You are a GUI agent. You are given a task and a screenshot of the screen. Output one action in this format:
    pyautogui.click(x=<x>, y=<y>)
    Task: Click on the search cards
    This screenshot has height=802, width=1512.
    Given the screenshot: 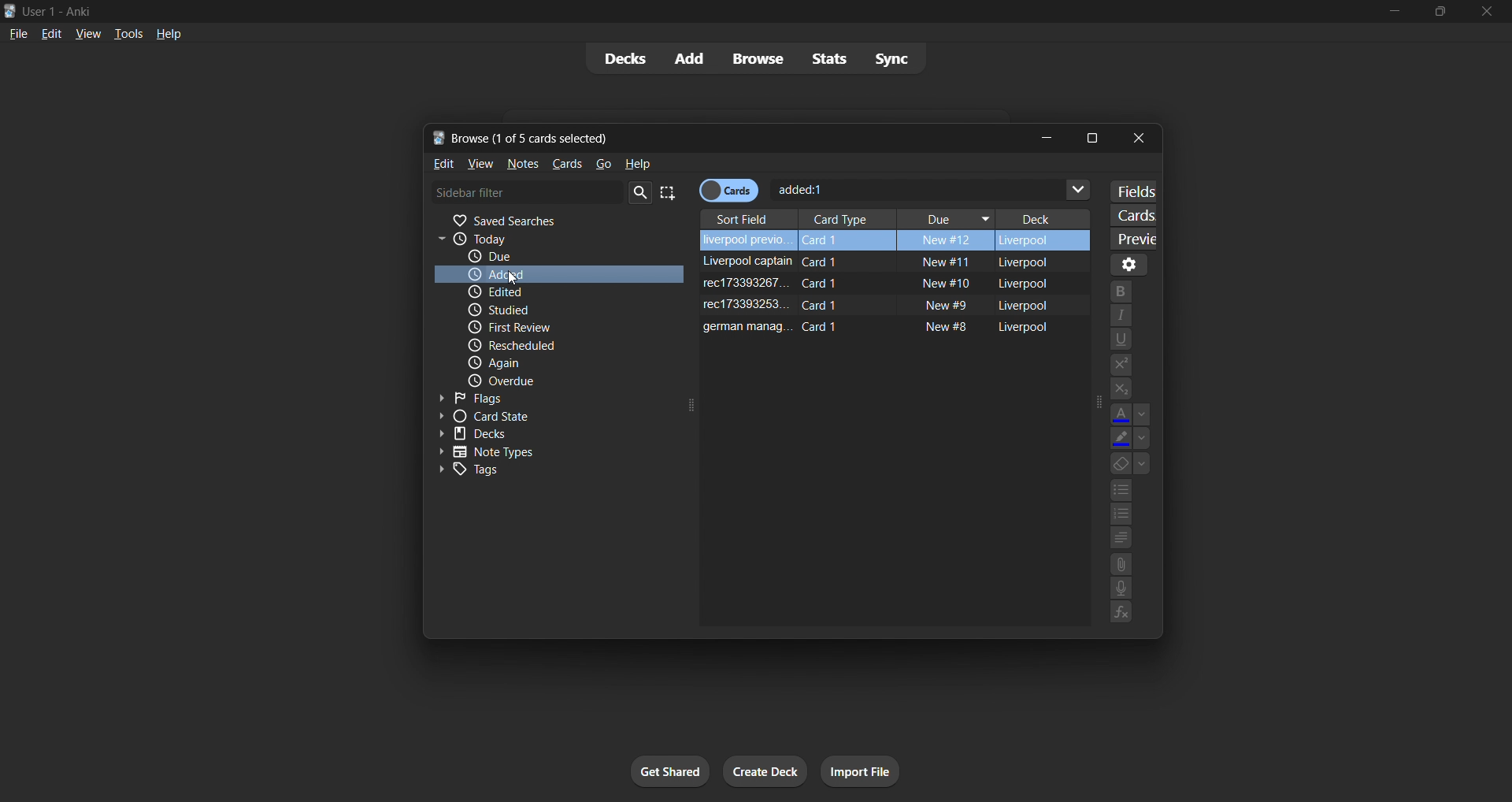 What is the action you would take?
    pyautogui.click(x=937, y=190)
    